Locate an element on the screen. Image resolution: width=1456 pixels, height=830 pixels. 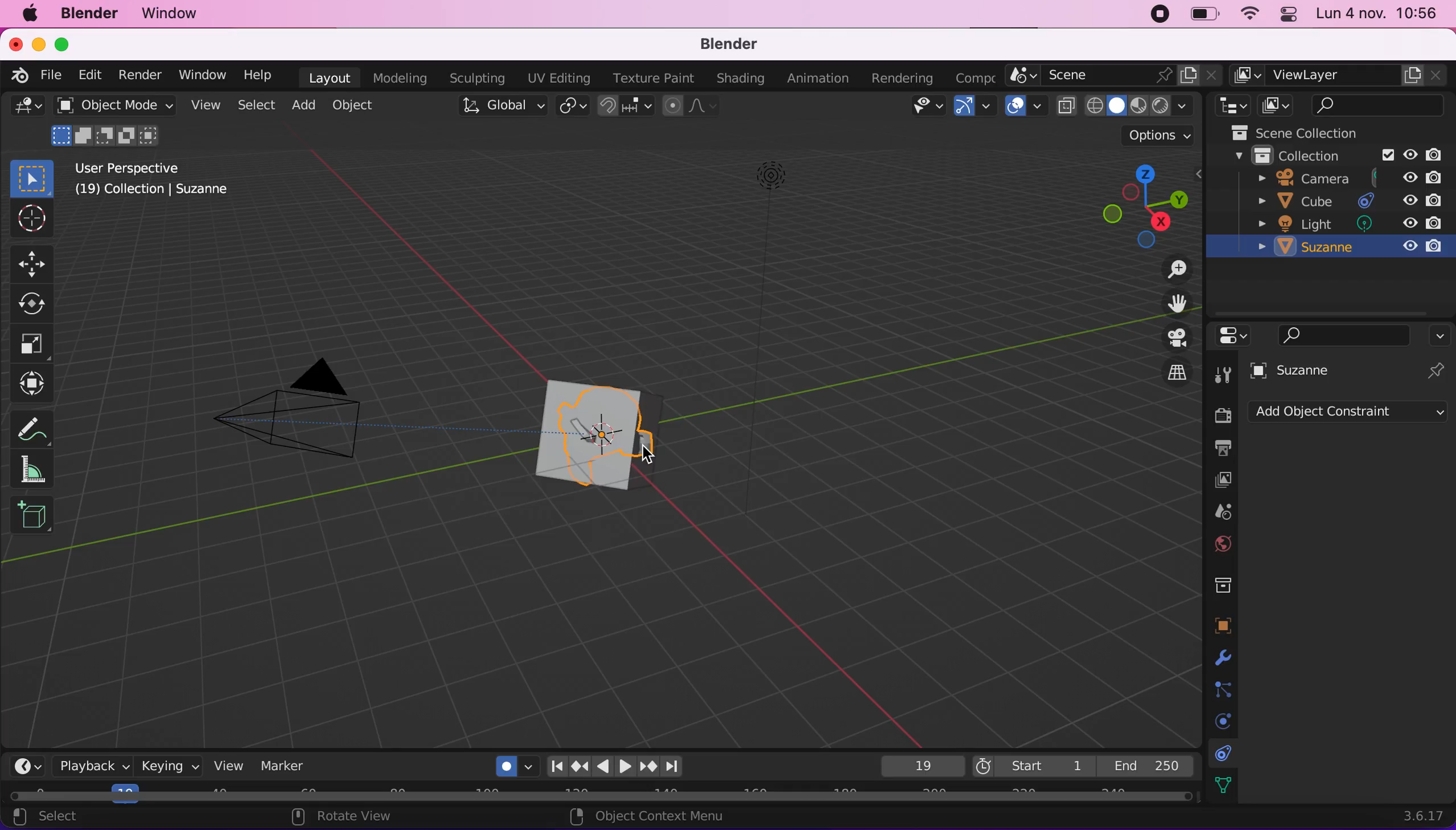
add object constraints is located at coordinates (1348, 414).